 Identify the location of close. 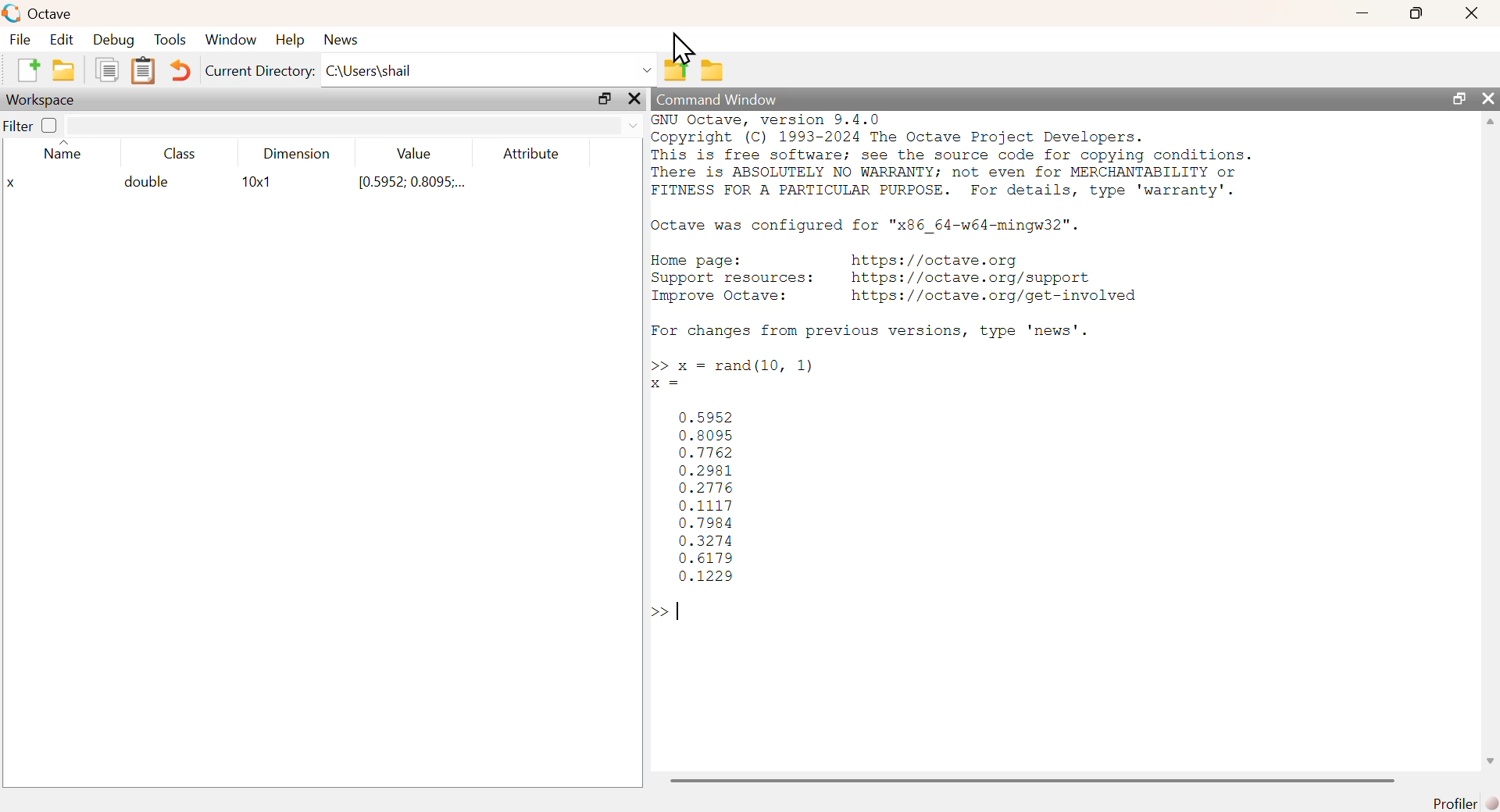
(1470, 15).